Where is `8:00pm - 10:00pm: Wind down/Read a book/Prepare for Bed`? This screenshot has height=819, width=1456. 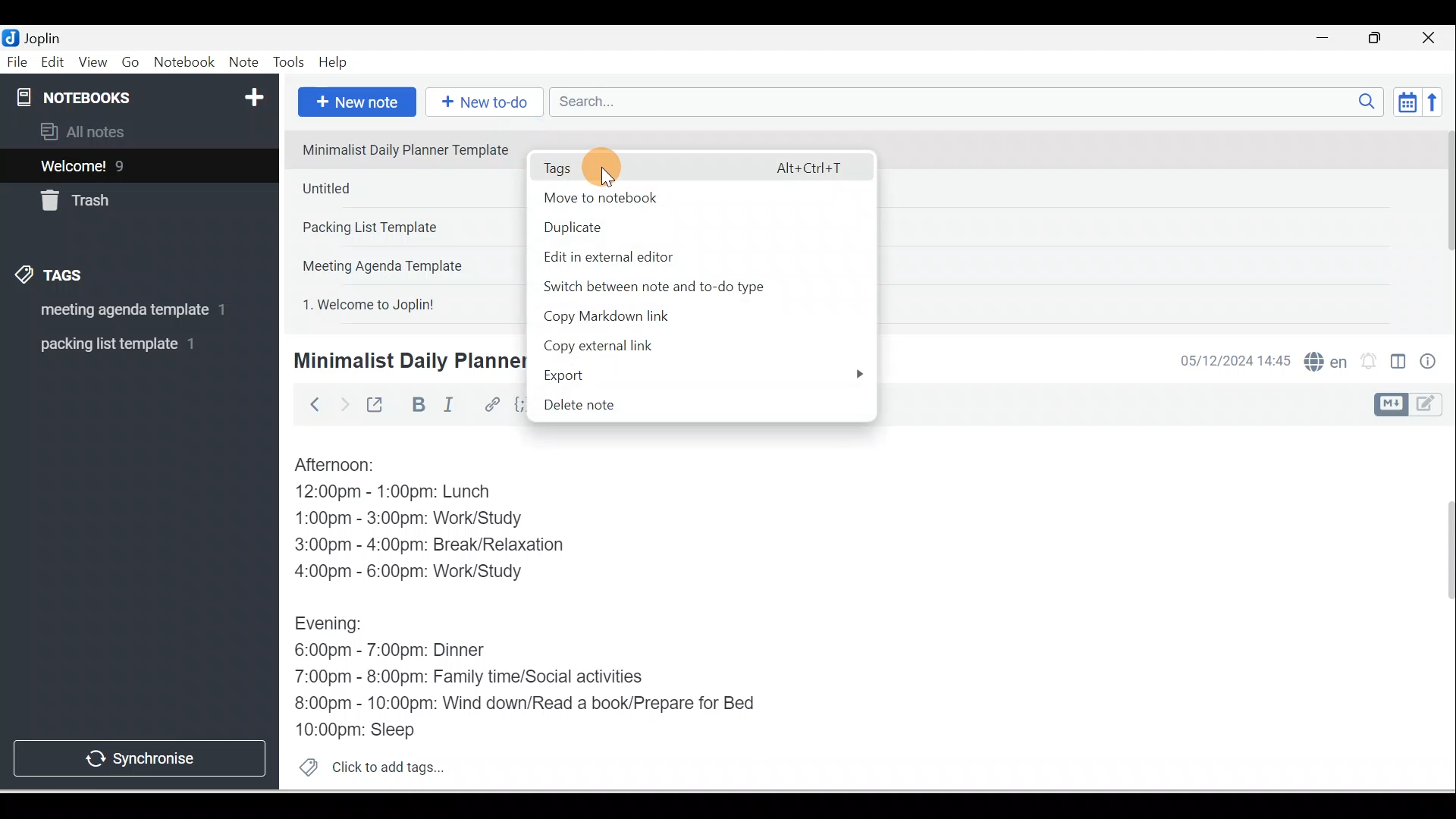 8:00pm - 10:00pm: Wind down/Read a book/Prepare for Bed is located at coordinates (526, 704).